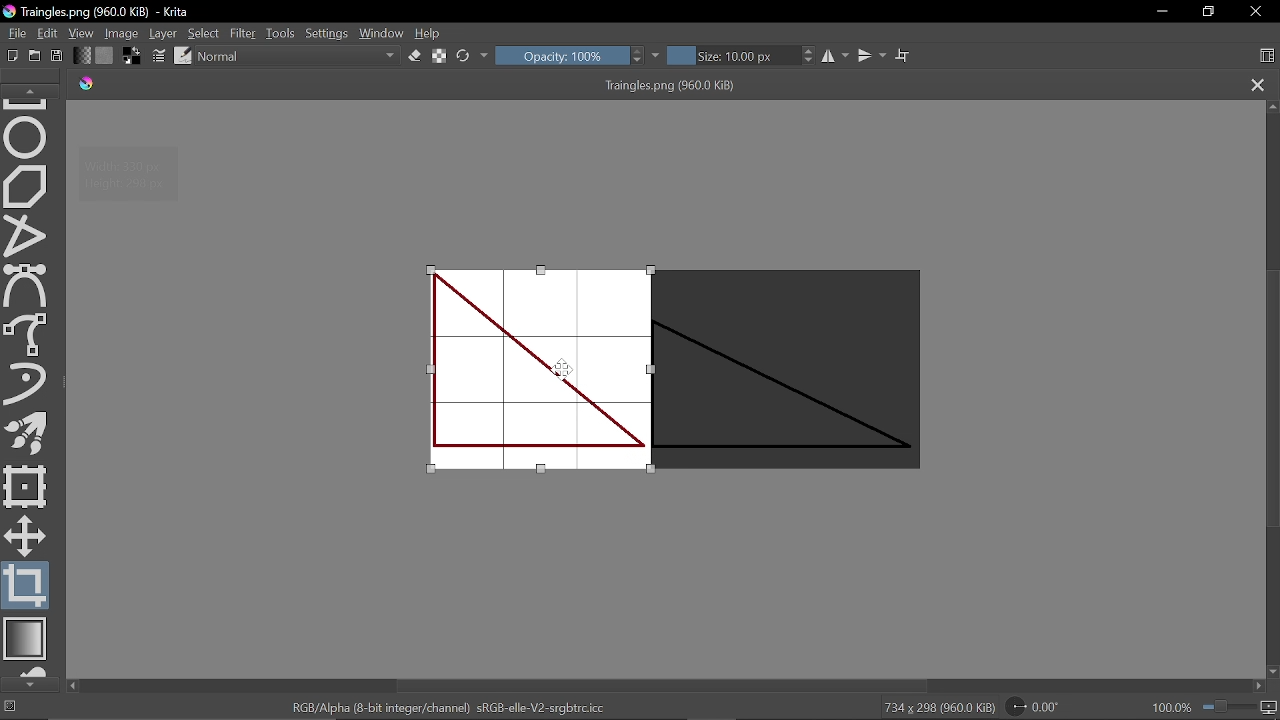 Image resolution: width=1280 pixels, height=720 pixels. I want to click on Layer, so click(164, 33).